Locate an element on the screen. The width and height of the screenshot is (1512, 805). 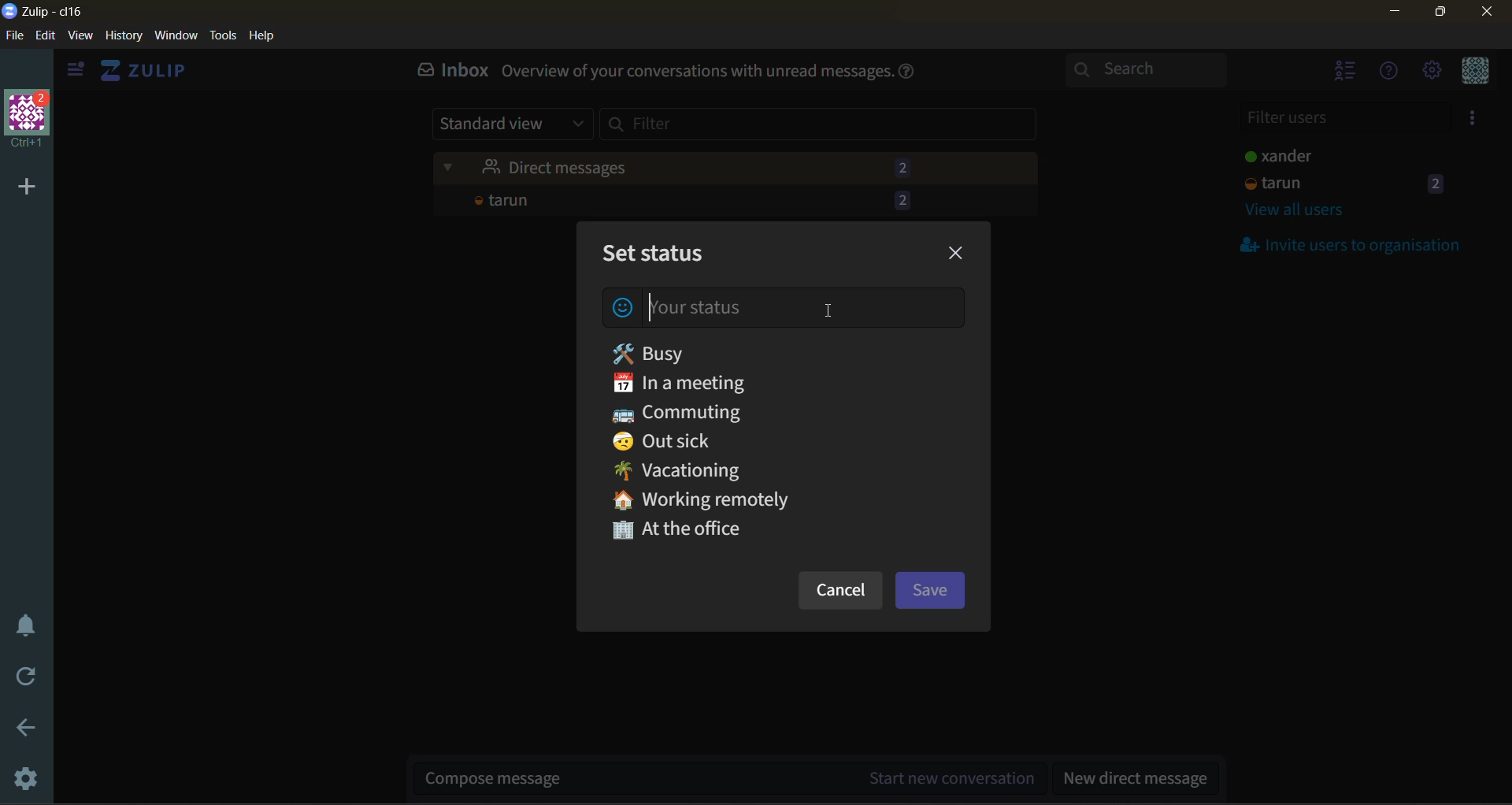
help is located at coordinates (910, 70).